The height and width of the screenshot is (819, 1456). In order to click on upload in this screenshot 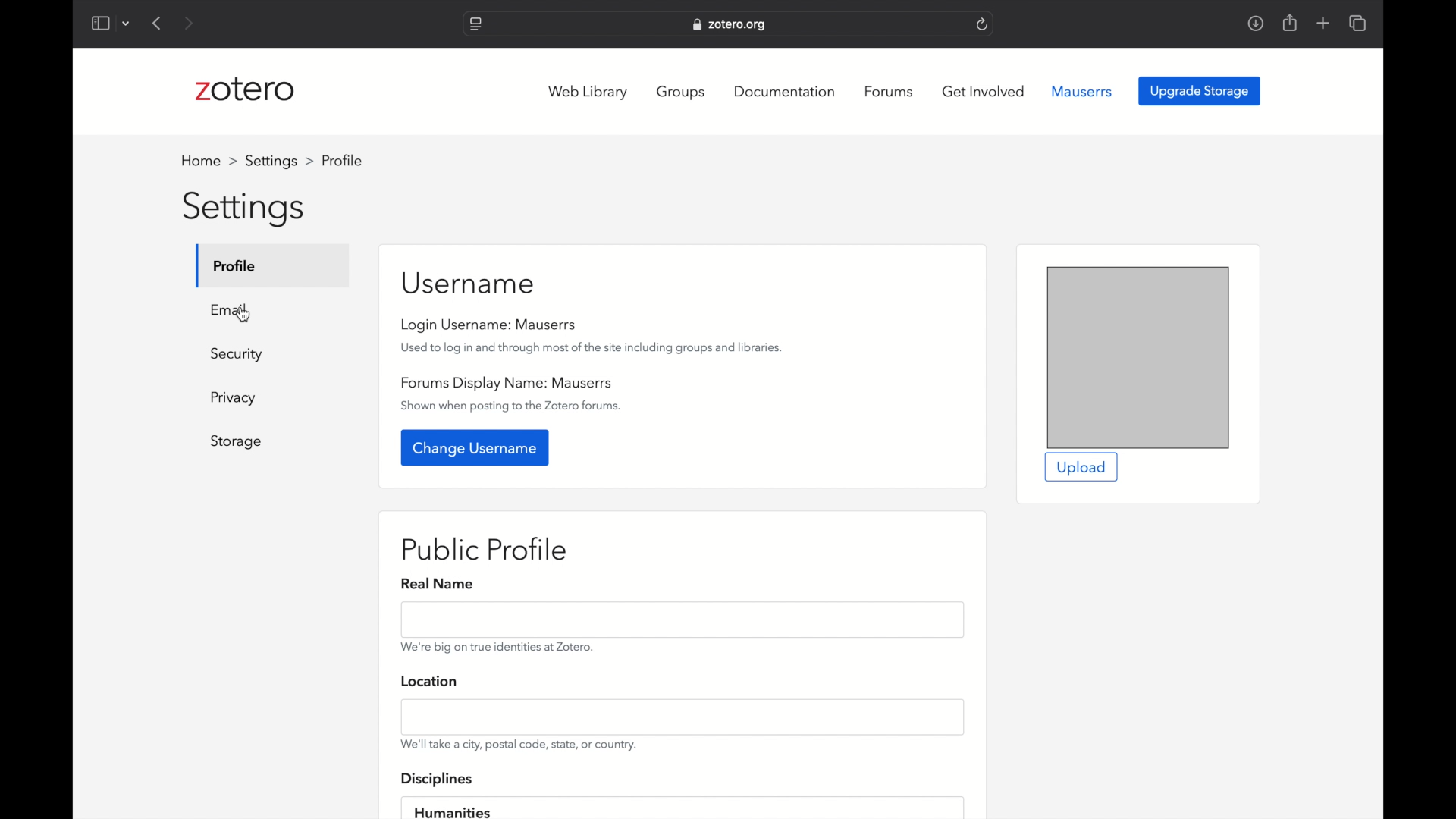, I will do `click(1080, 467)`.